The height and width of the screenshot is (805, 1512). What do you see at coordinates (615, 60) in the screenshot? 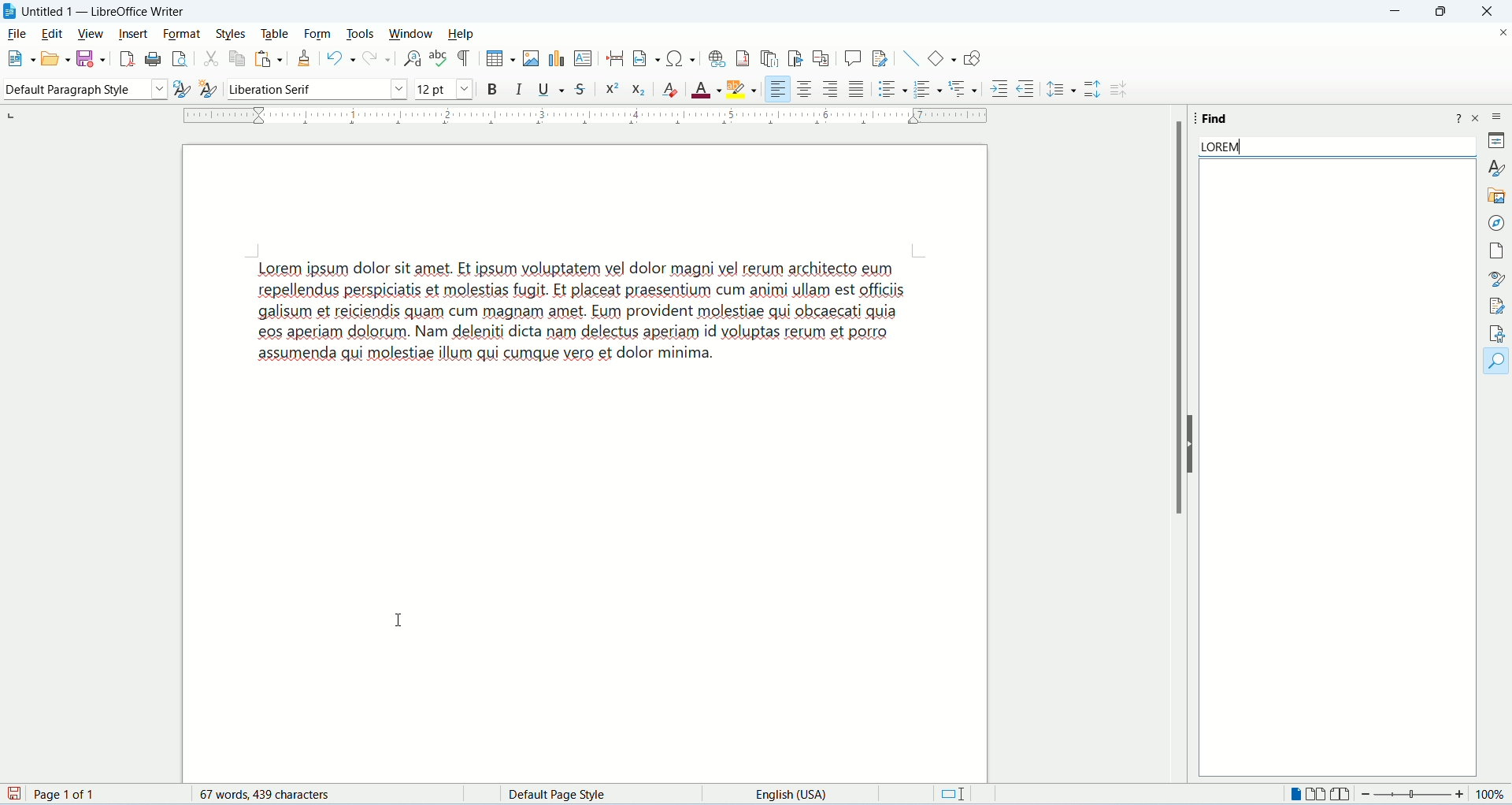
I see `insert page break` at bounding box center [615, 60].